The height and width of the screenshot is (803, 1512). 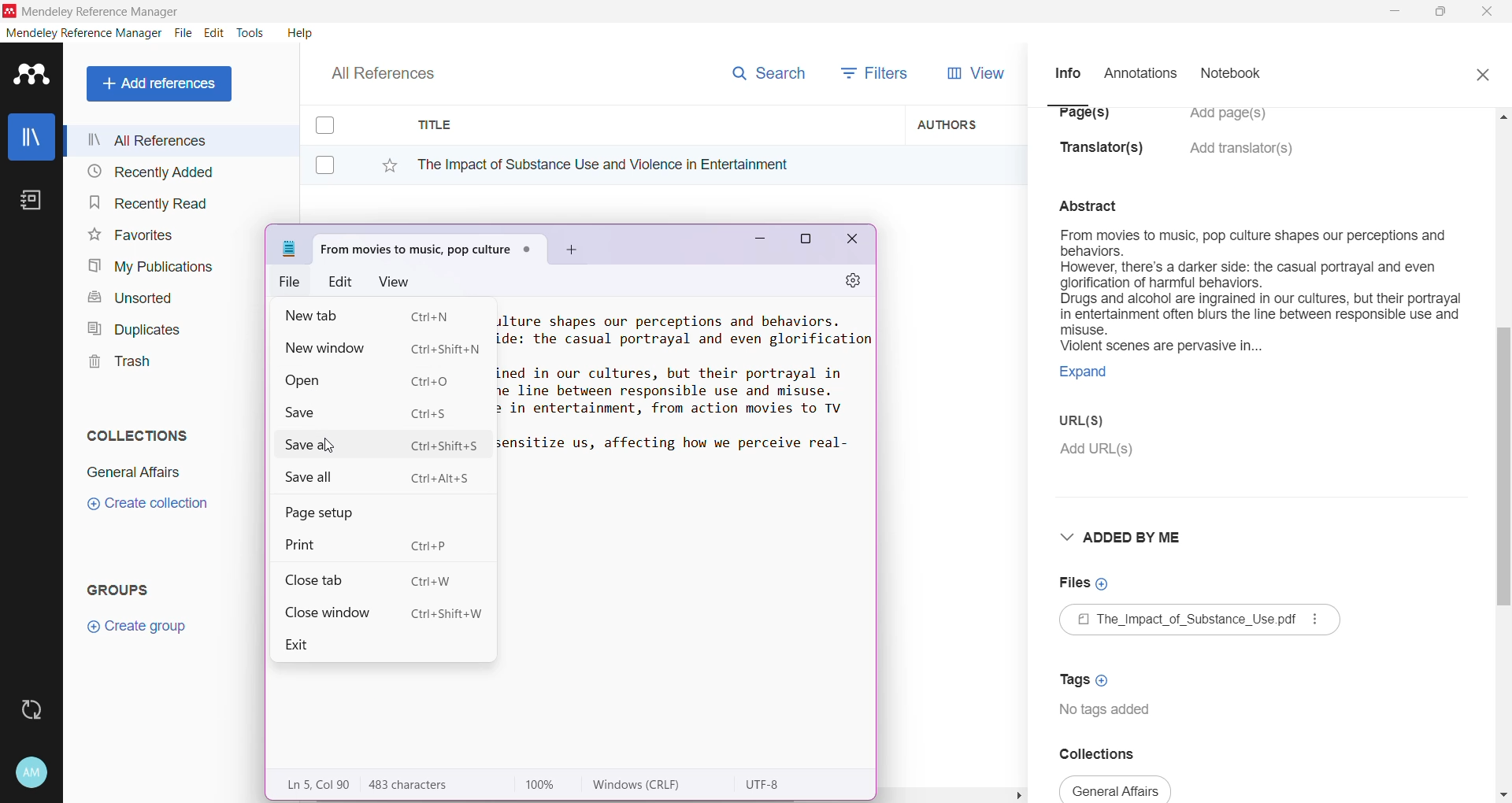 What do you see at coordinates (422, 785) in the screenshot?
I see `Number of Characters in the pasted text` at bounding box center [422, 785].